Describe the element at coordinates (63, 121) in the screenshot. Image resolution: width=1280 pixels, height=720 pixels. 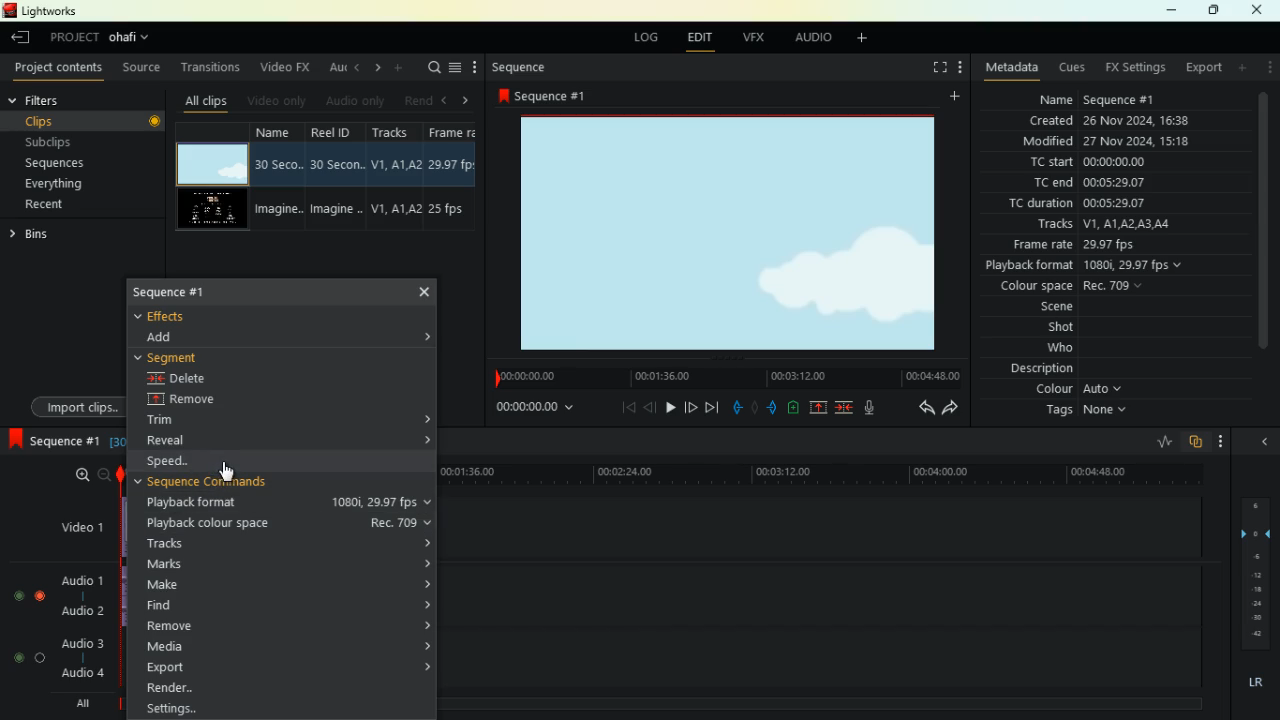
I see `clips` at that location.